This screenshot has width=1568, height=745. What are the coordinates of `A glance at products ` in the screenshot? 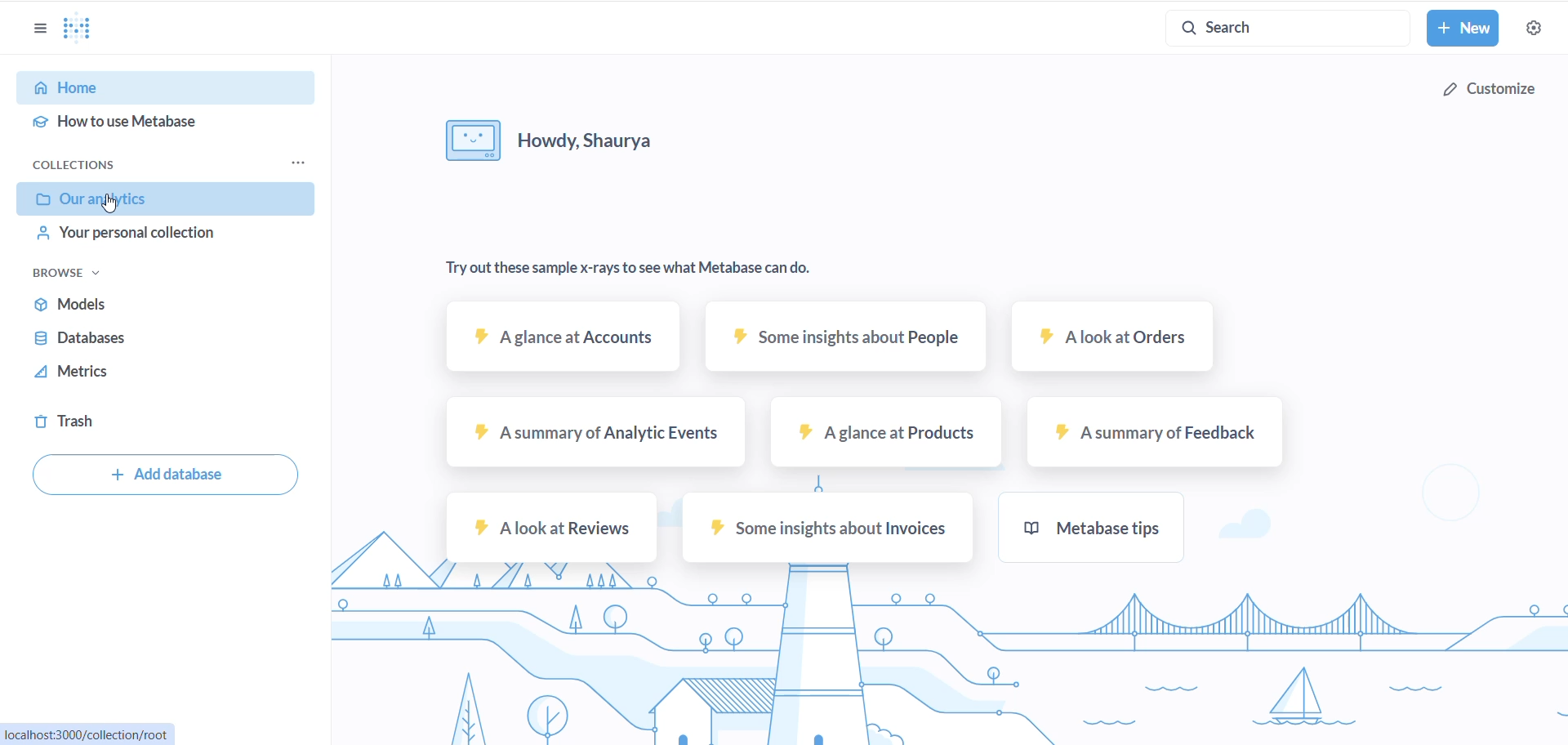 It's located at (879, 436).